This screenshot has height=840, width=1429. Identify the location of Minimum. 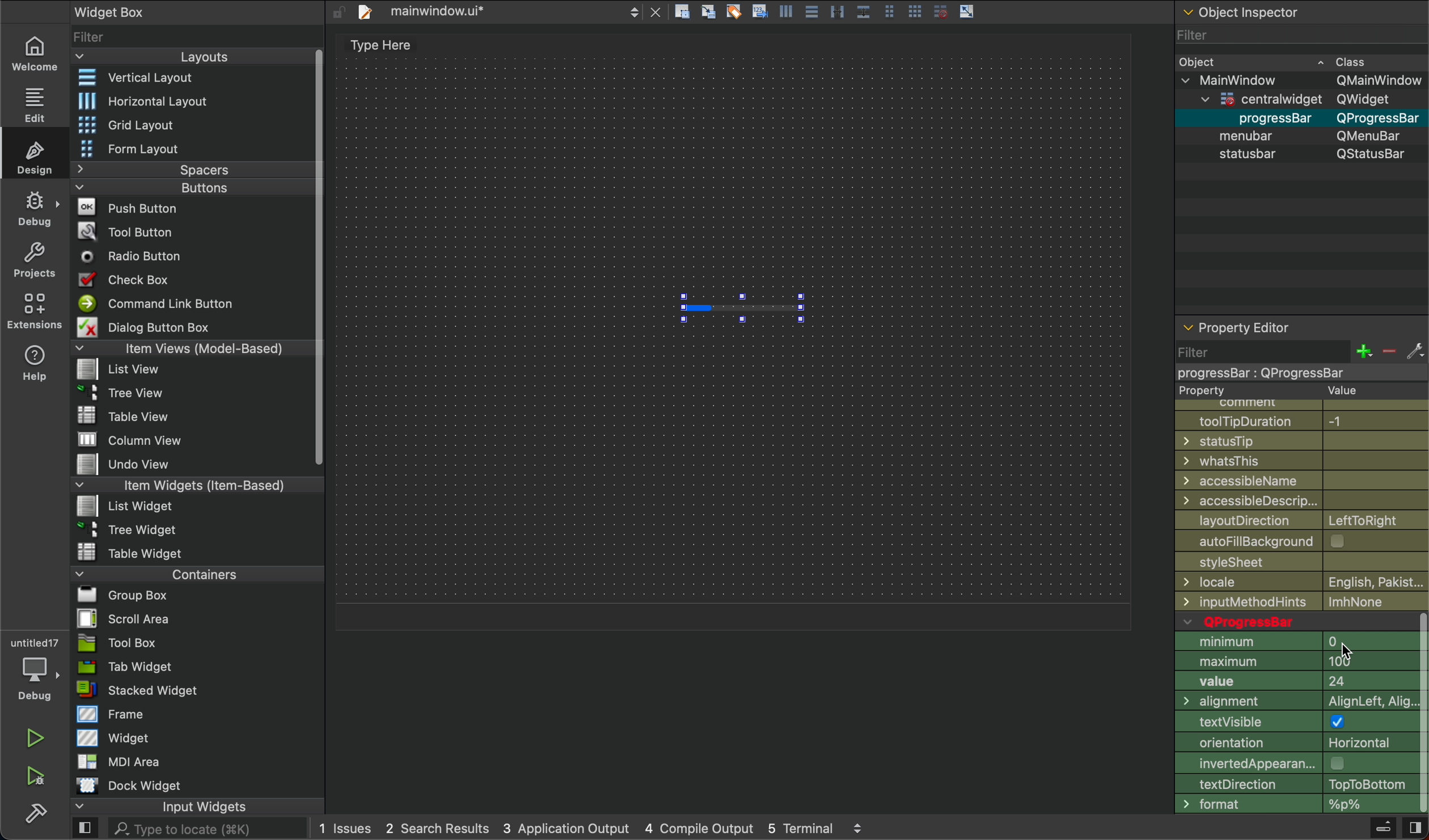
(1295, 642).